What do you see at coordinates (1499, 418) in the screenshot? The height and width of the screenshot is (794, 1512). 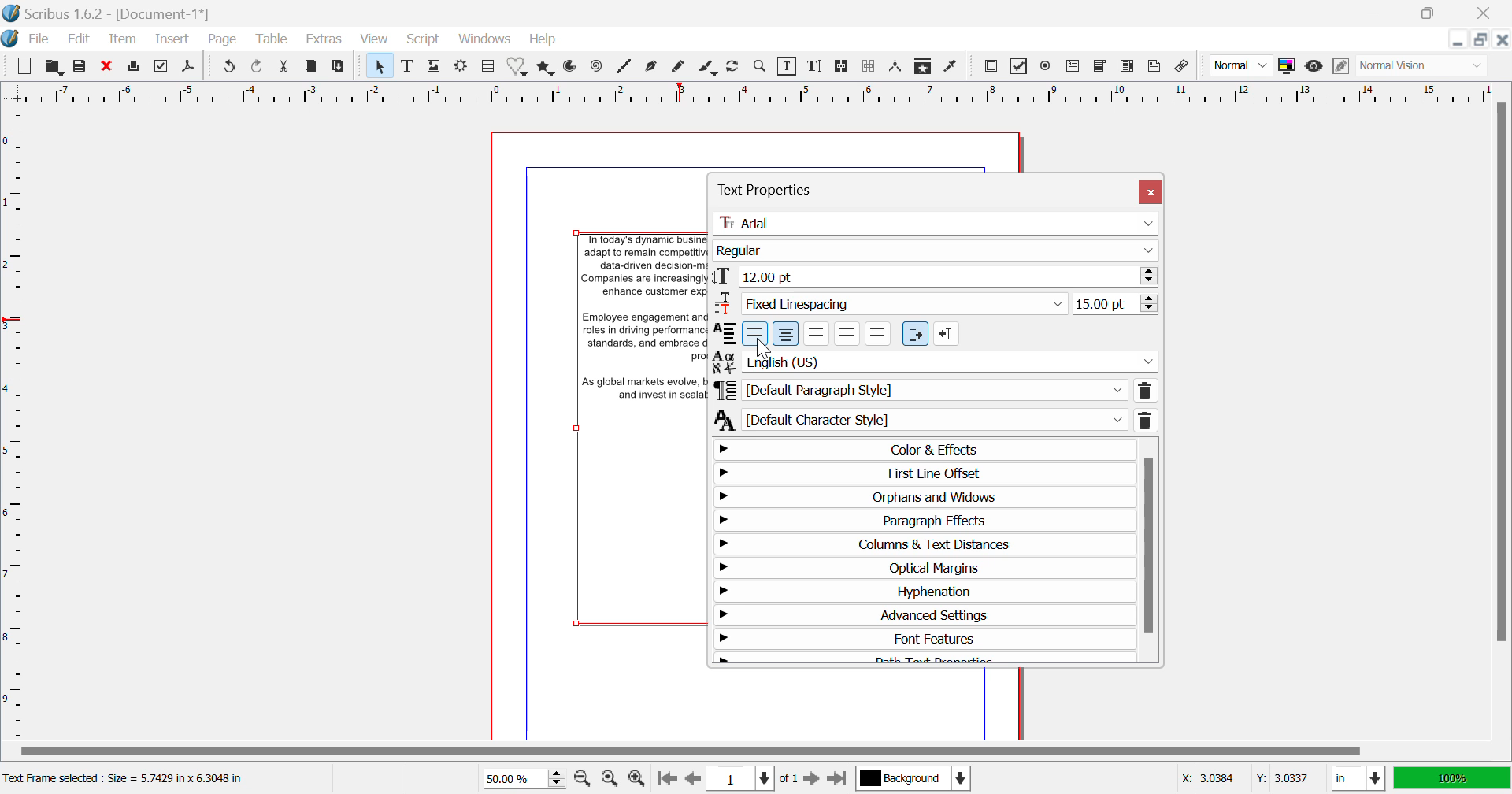 I see `Scroll Bar` at bounding box center [1499, 418].